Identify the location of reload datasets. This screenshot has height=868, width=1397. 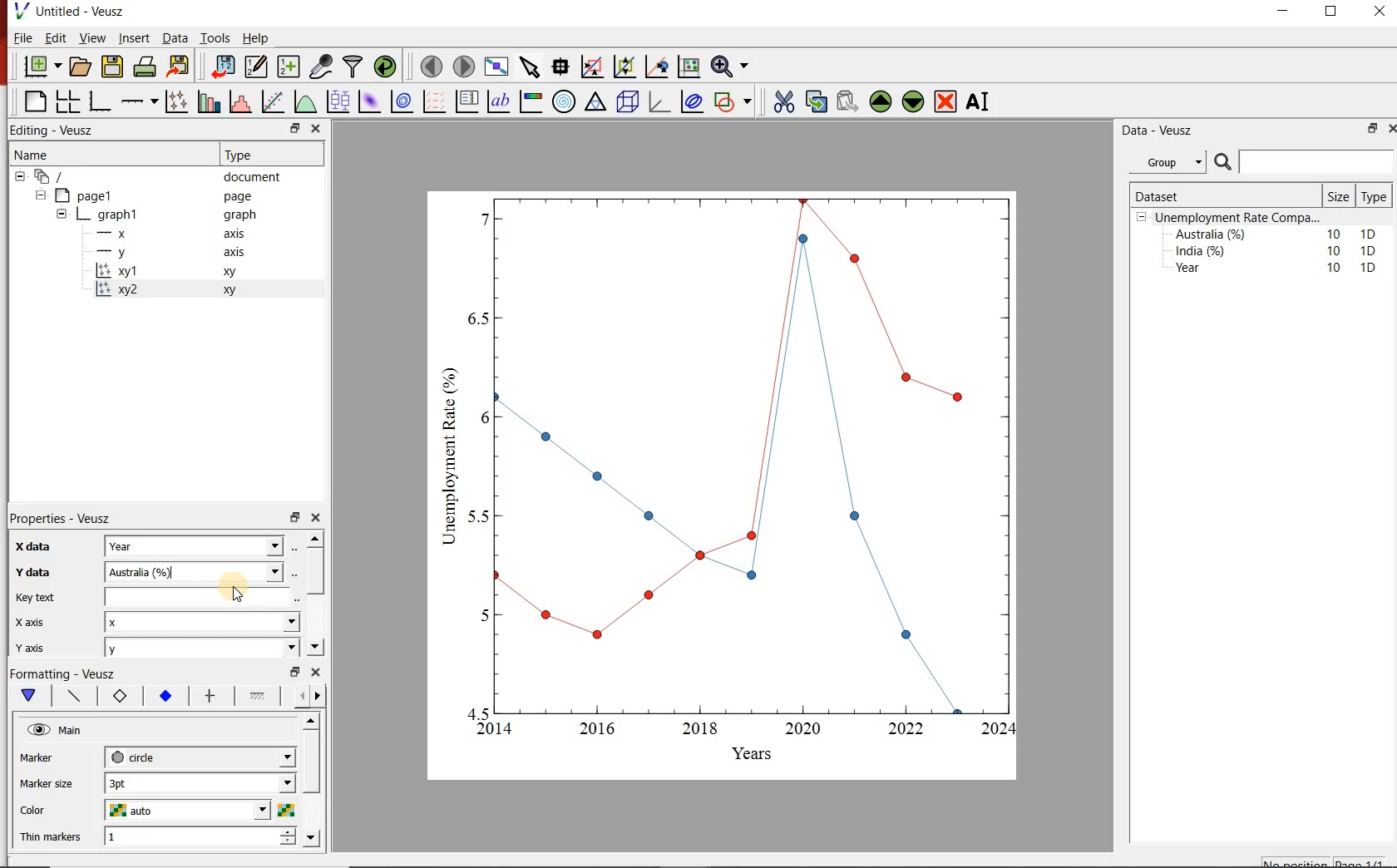
(386, 66).